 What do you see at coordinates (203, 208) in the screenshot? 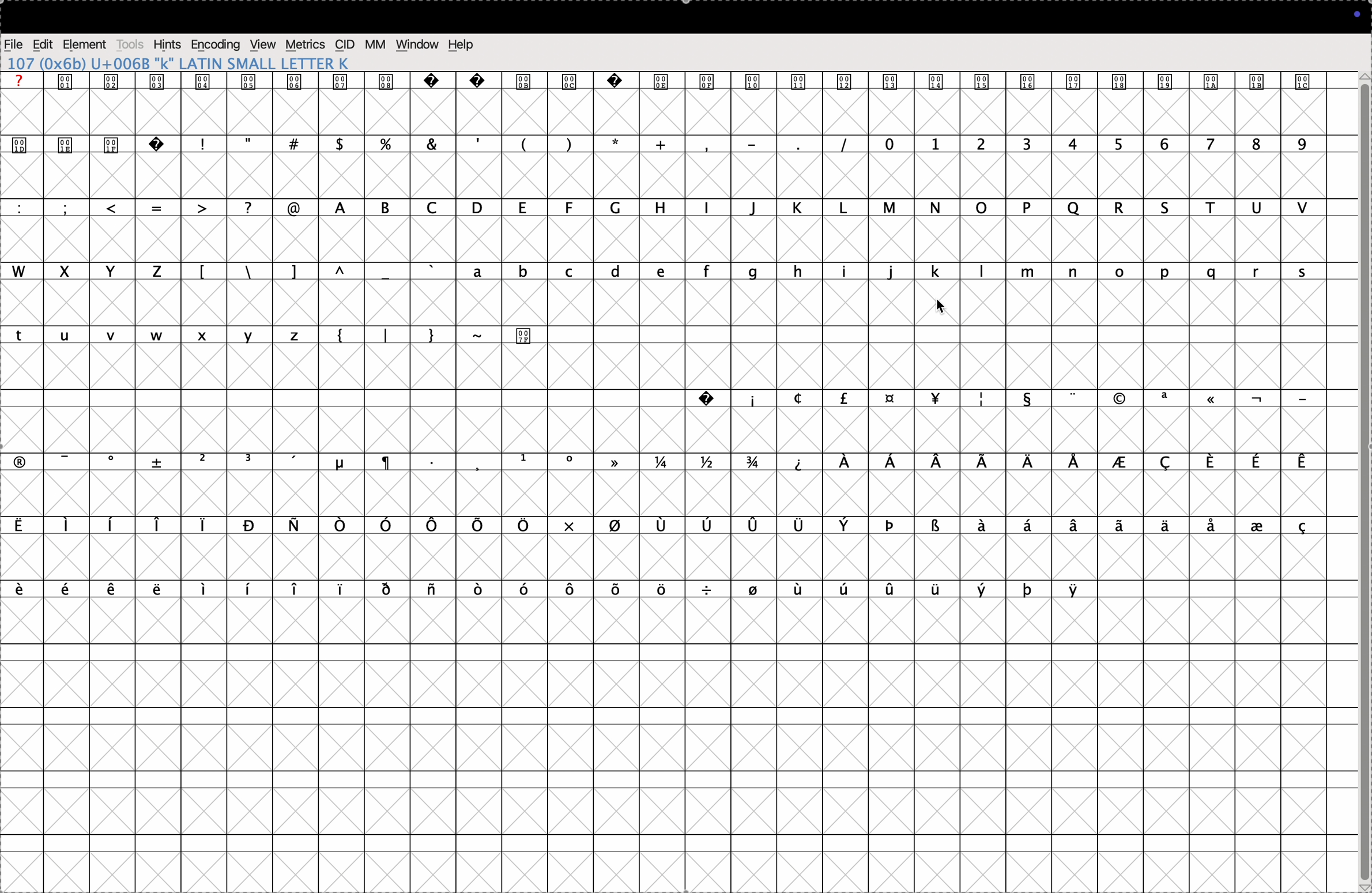
I see `>` at bounding box center [203, 208].